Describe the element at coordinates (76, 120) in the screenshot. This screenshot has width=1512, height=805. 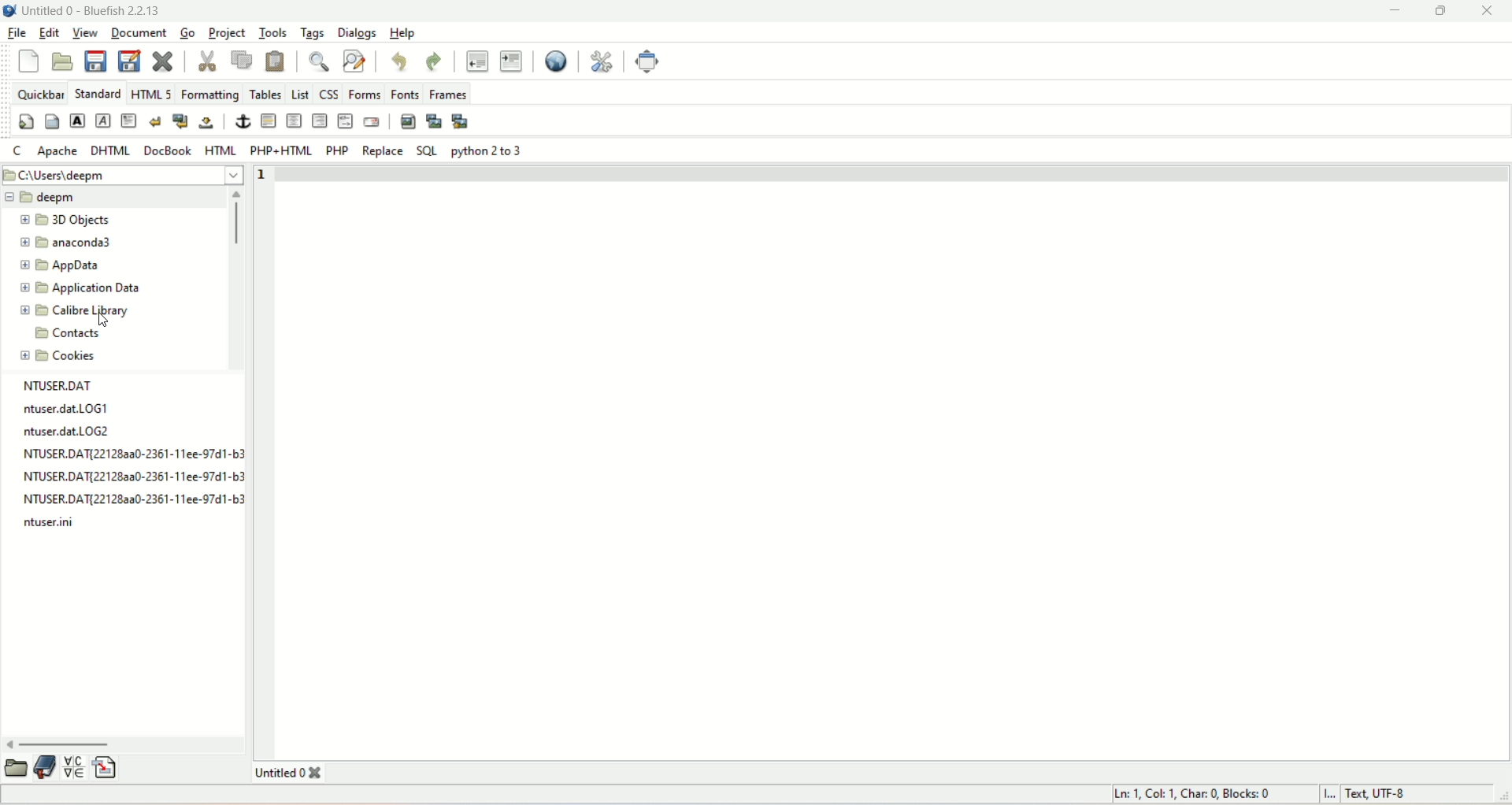
I see `strong` at that location.